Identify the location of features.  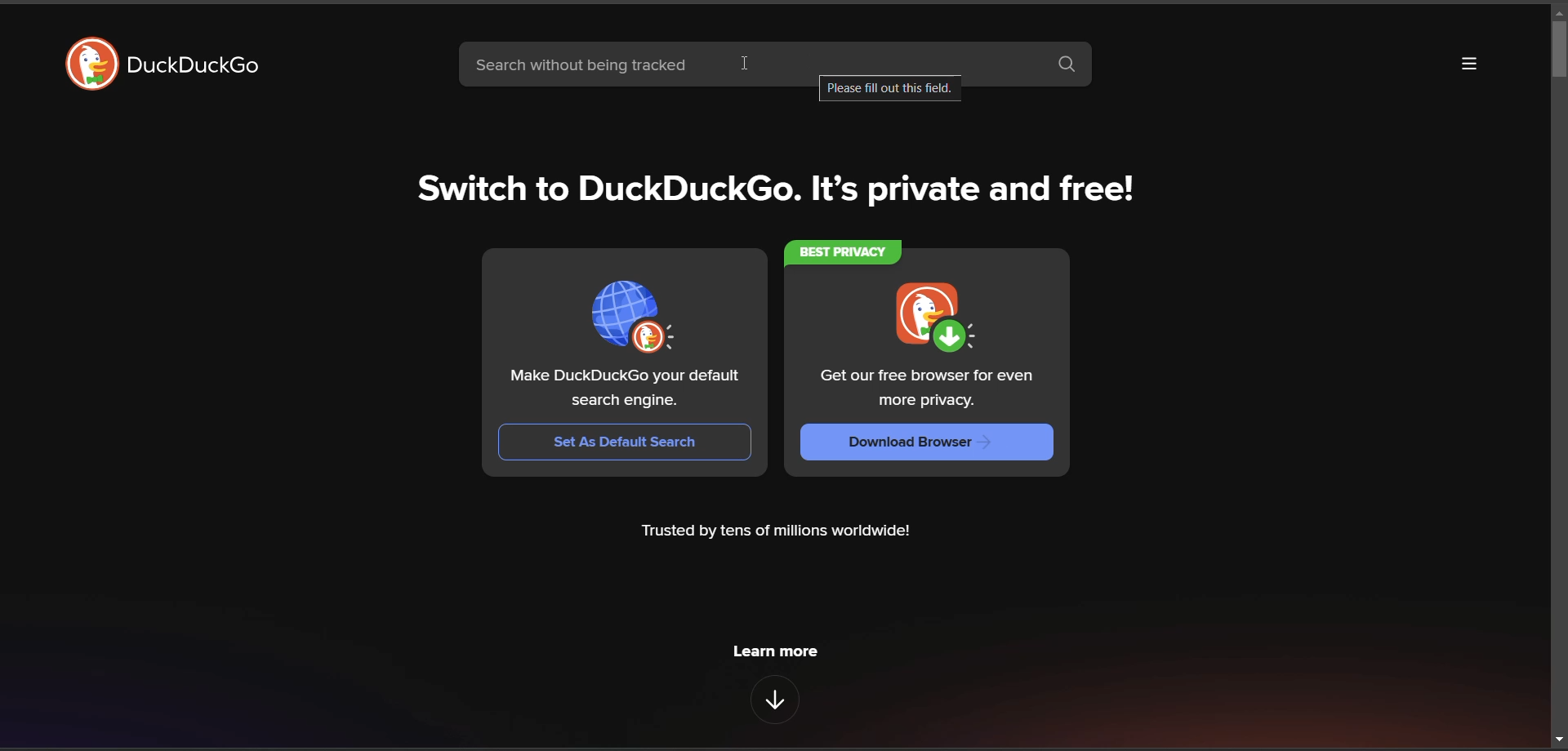
(774, 700).